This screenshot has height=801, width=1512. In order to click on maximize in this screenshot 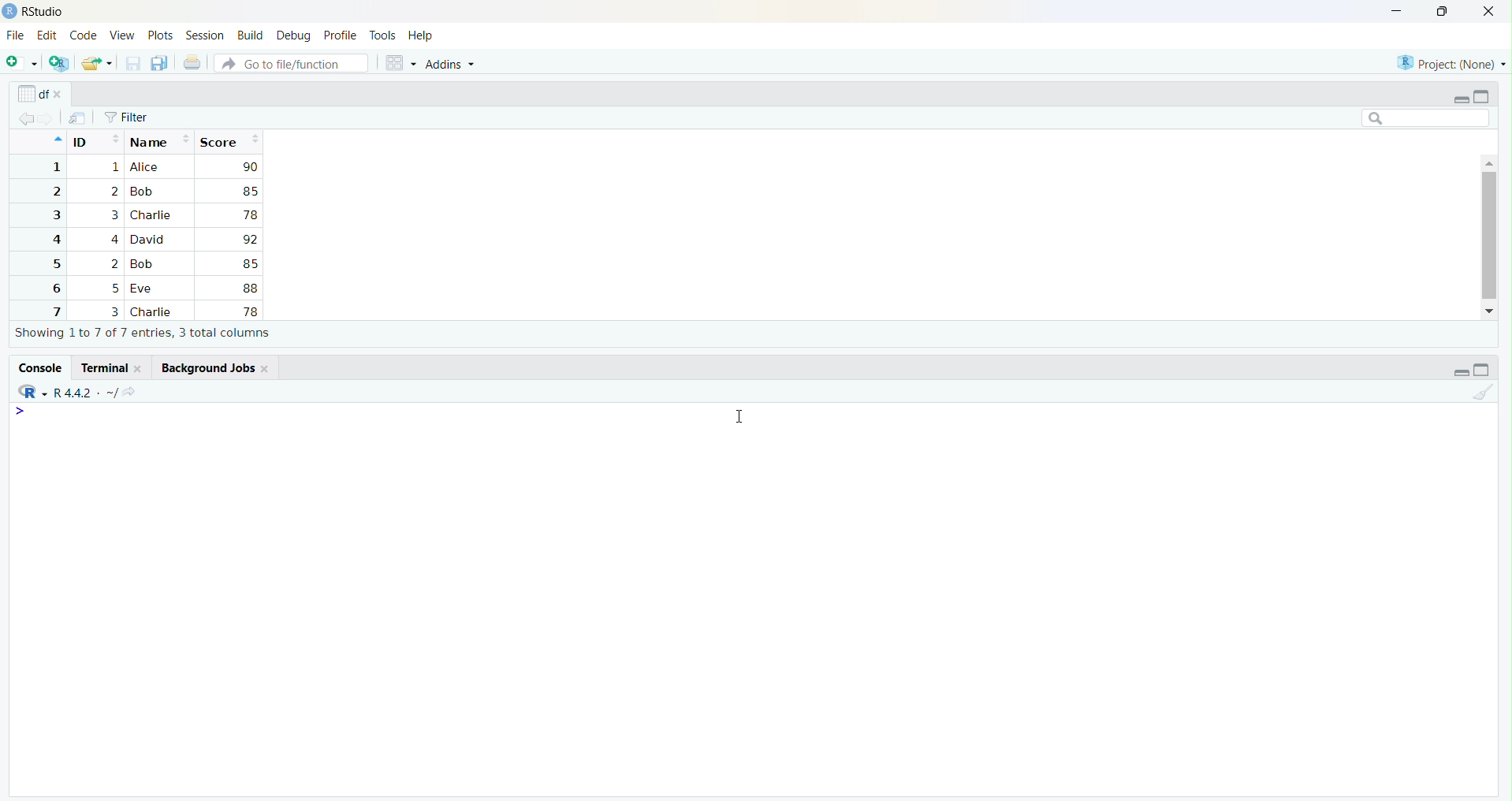, I will do `click(1482, 96)`.